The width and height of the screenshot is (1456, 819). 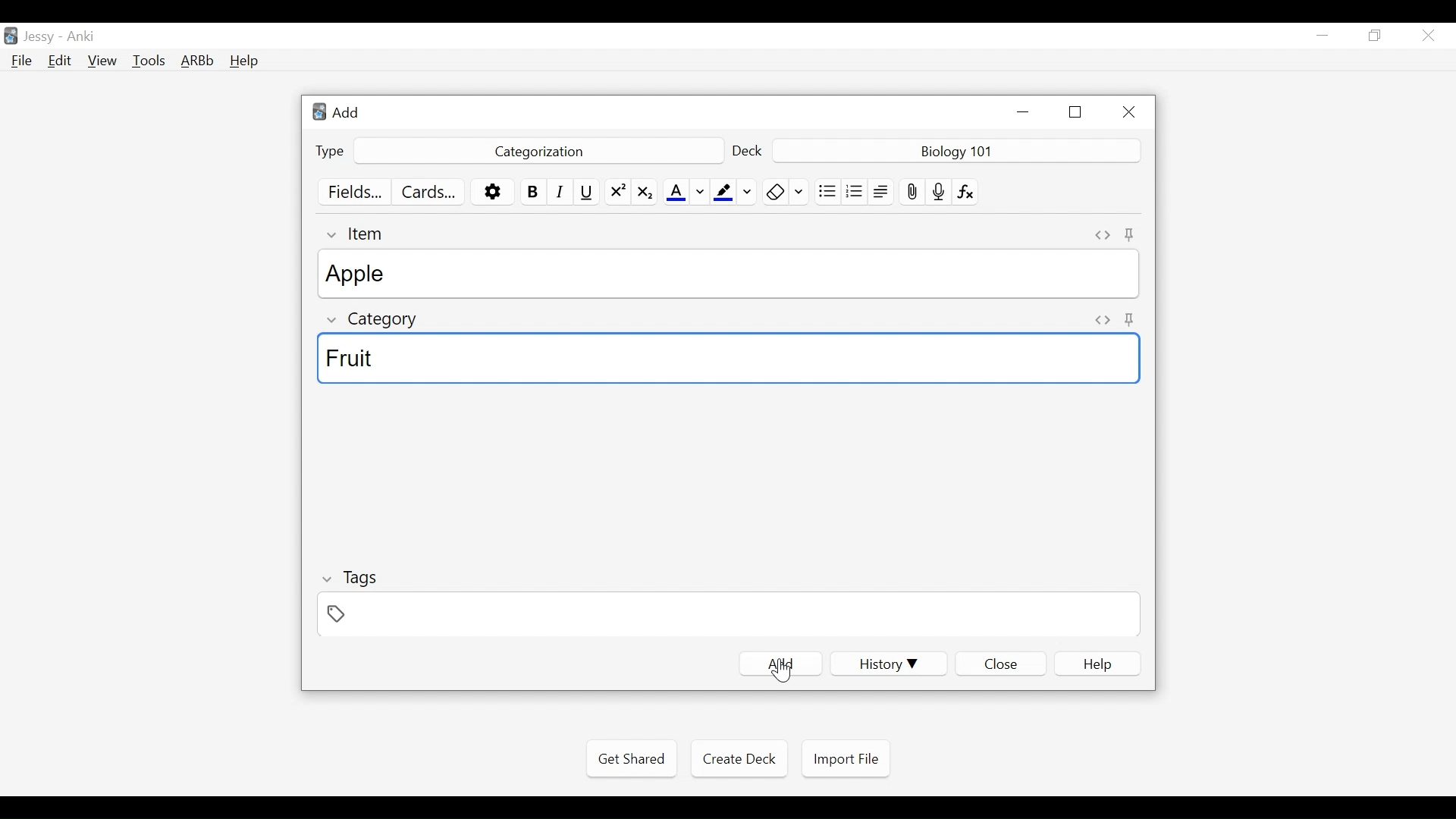 What do you see at coordinates (617, 192) in the screenshot?
I see `Superscript` at bounding box center [617, 192].